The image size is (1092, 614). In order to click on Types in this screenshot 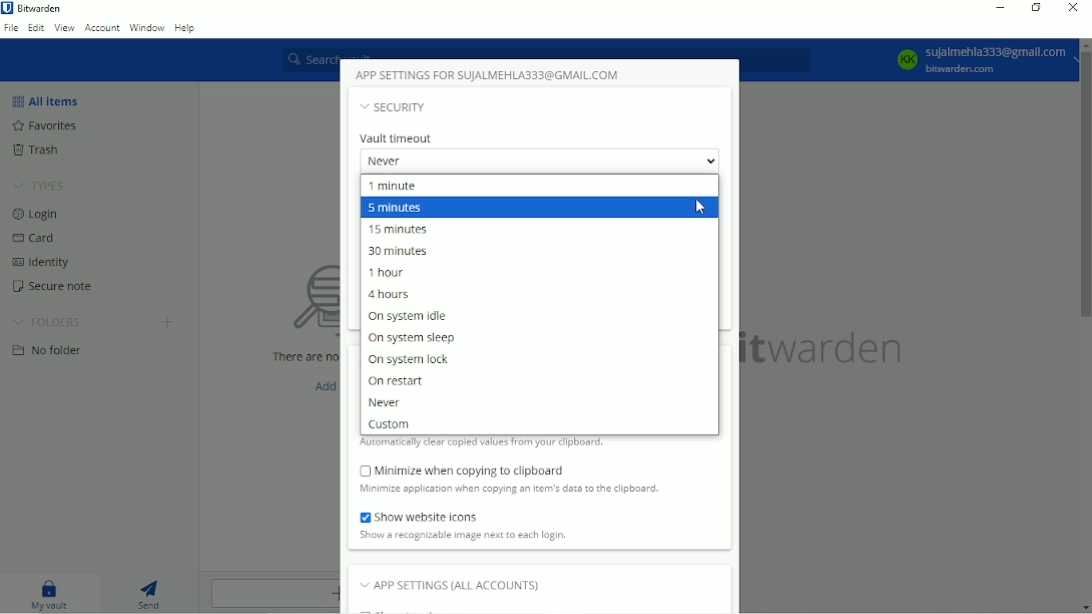, I will do `click(39, 186)`.